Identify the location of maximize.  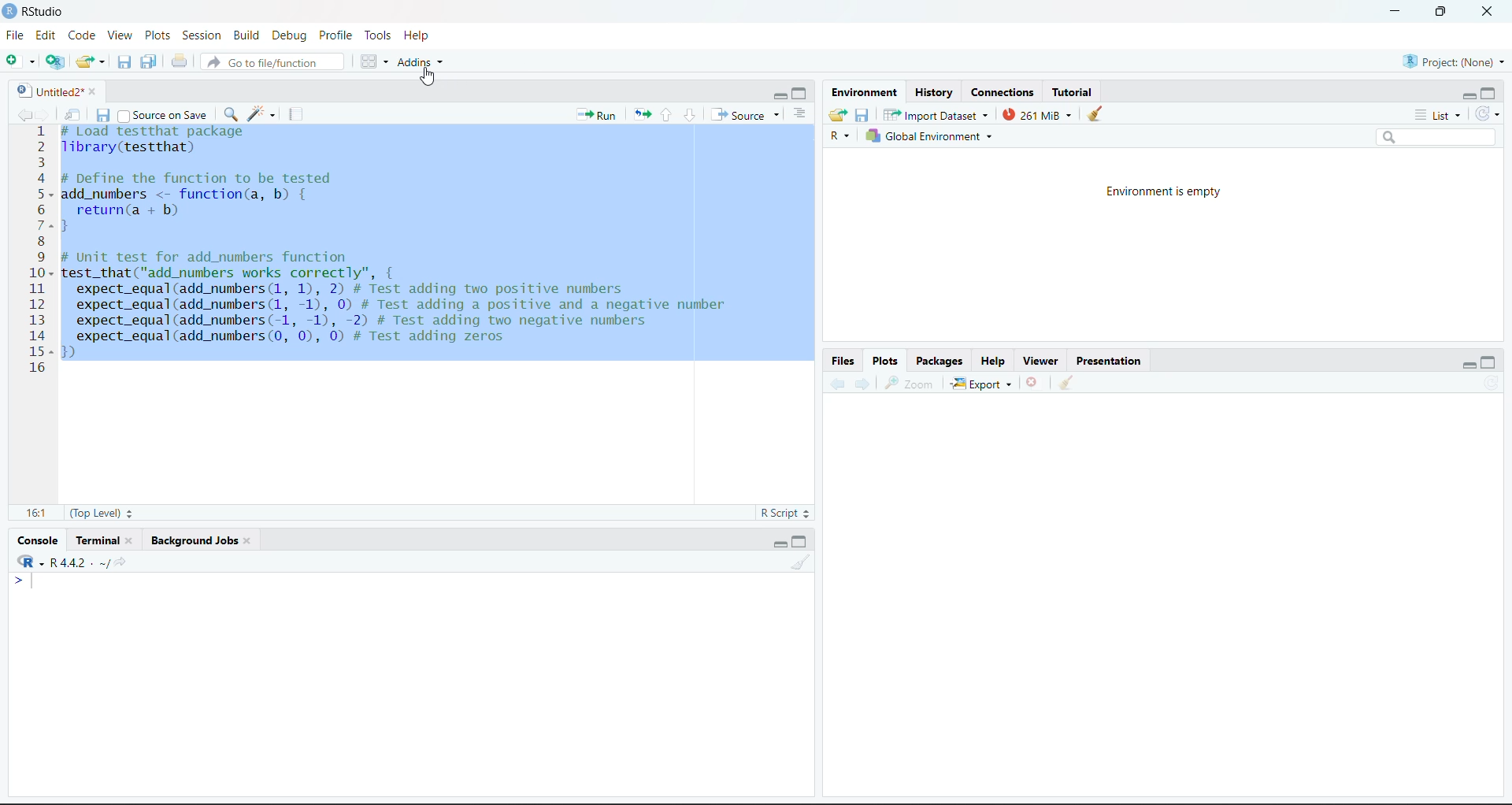
(1491, 361).